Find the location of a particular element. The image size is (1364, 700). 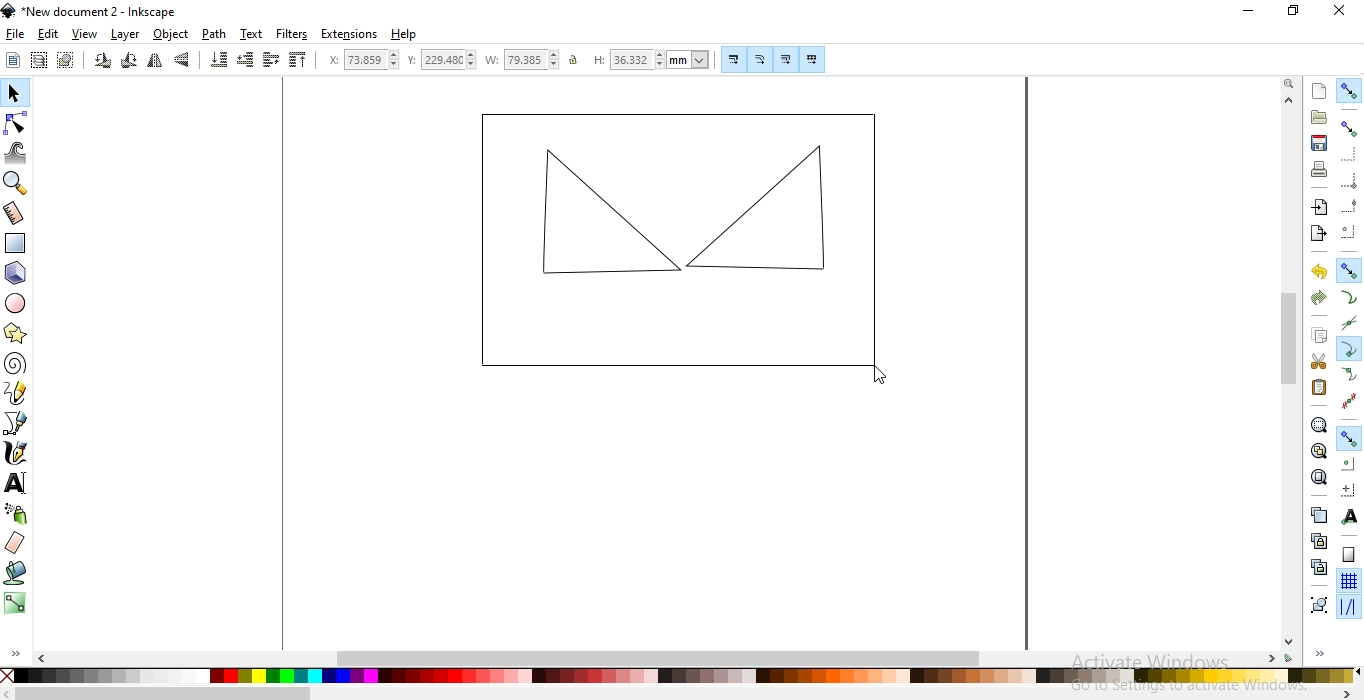

close is located at coordinates (1337, 8).